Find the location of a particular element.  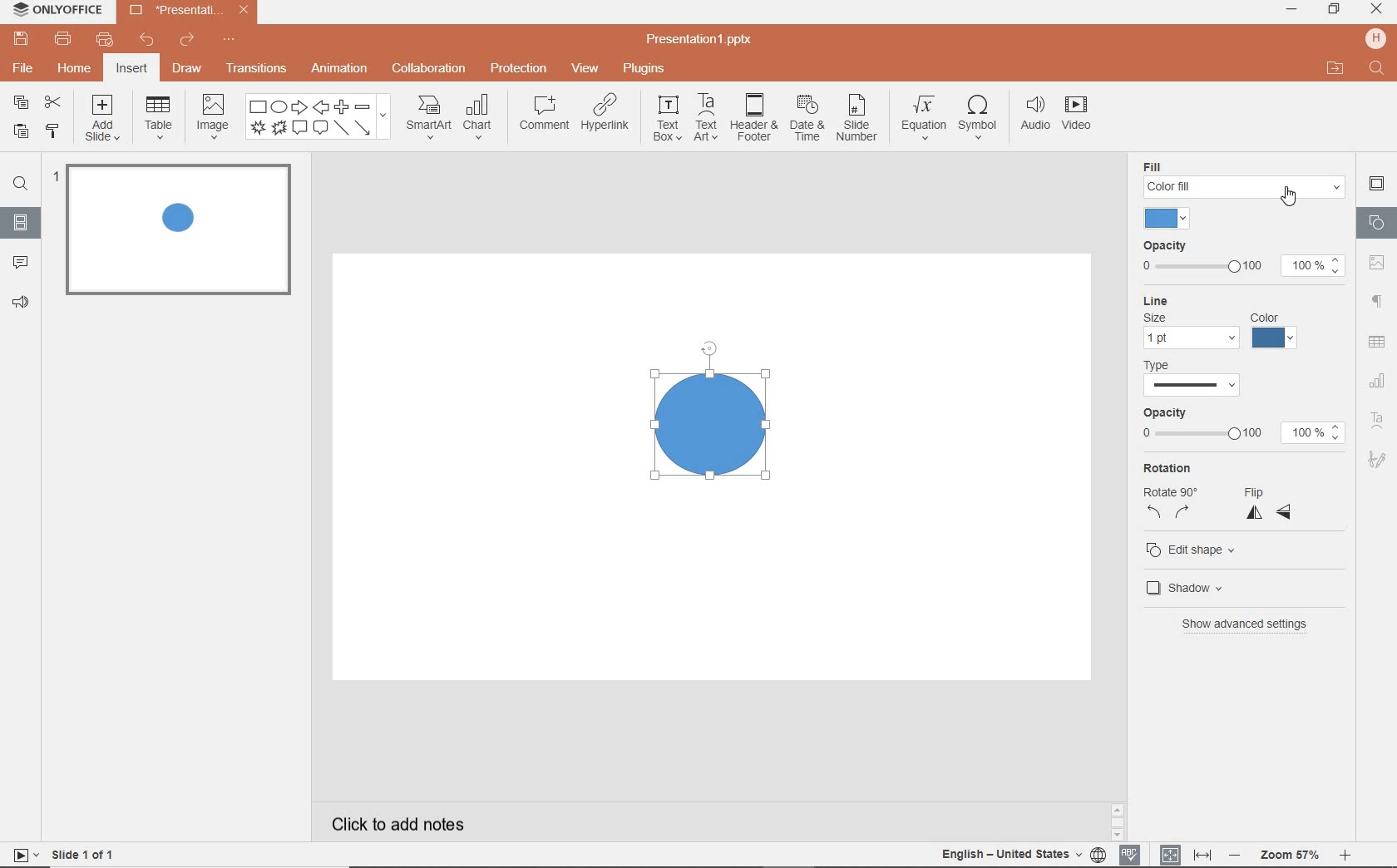

paragraph settings is located at coordinates (1378, 299).